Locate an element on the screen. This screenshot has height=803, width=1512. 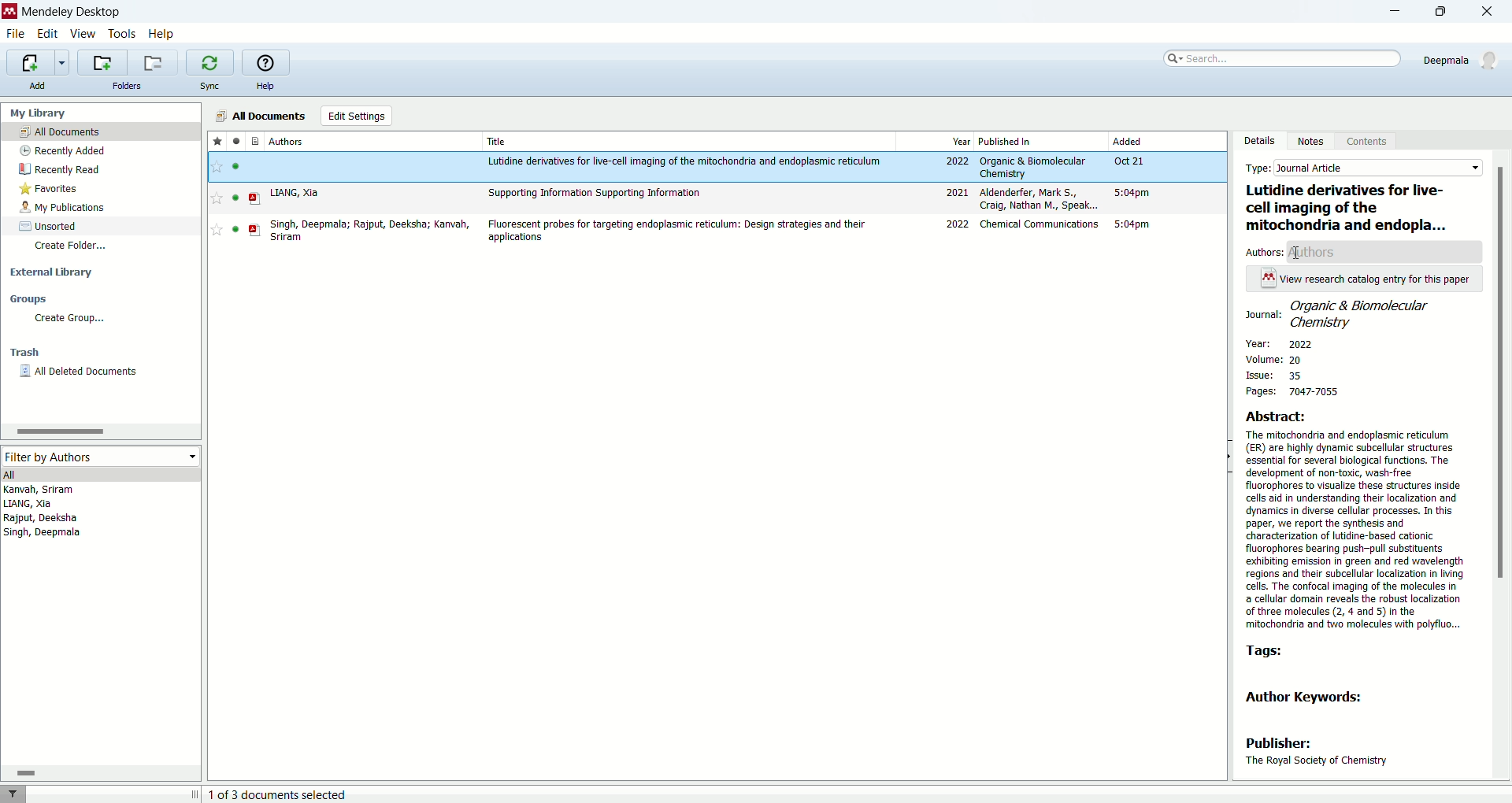
year: 2022 is located at coordinates (1279, 342).